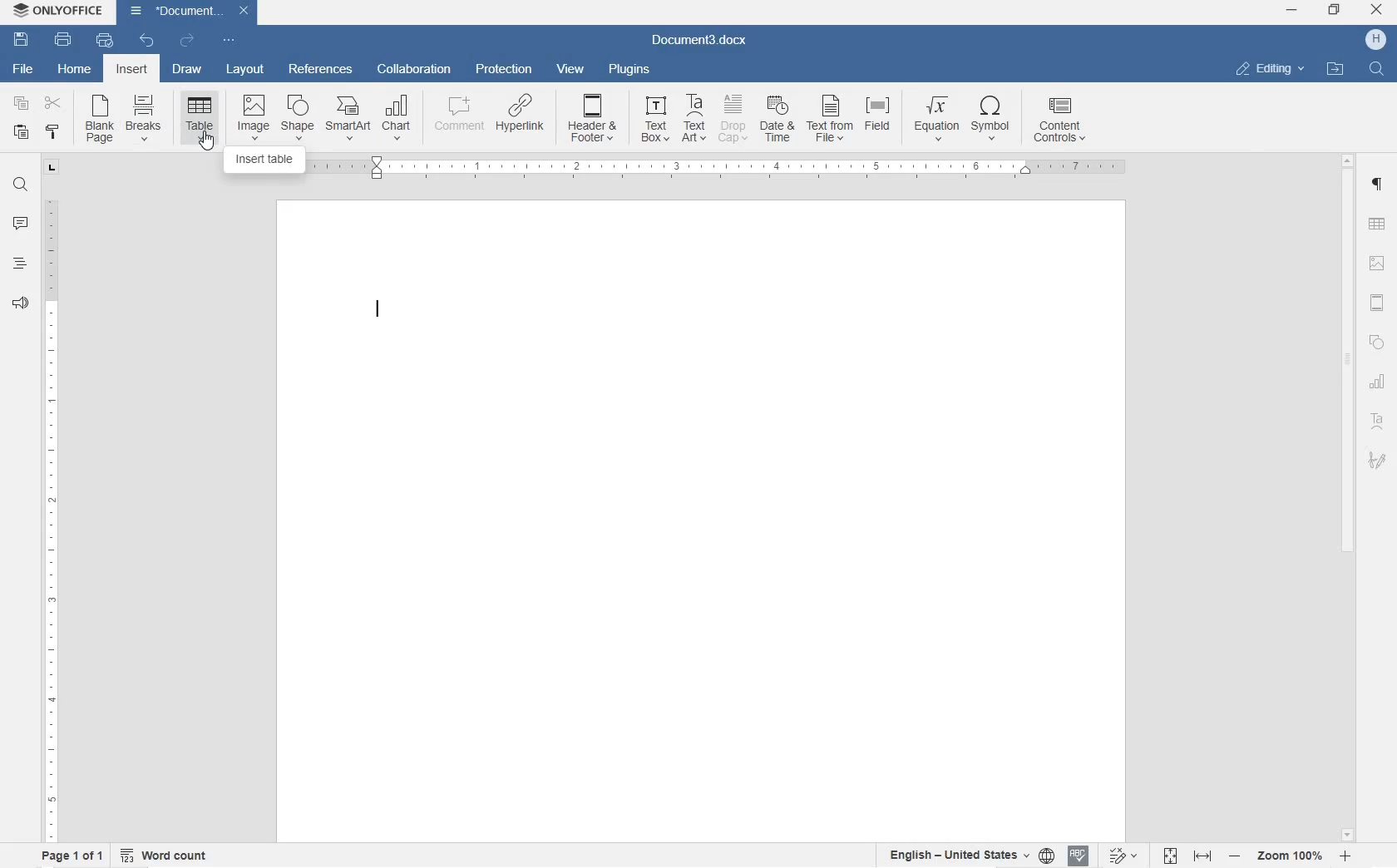 The image size is (1397, 868). I want to click on CONTENT CONTROLS, so click(1061, 122).